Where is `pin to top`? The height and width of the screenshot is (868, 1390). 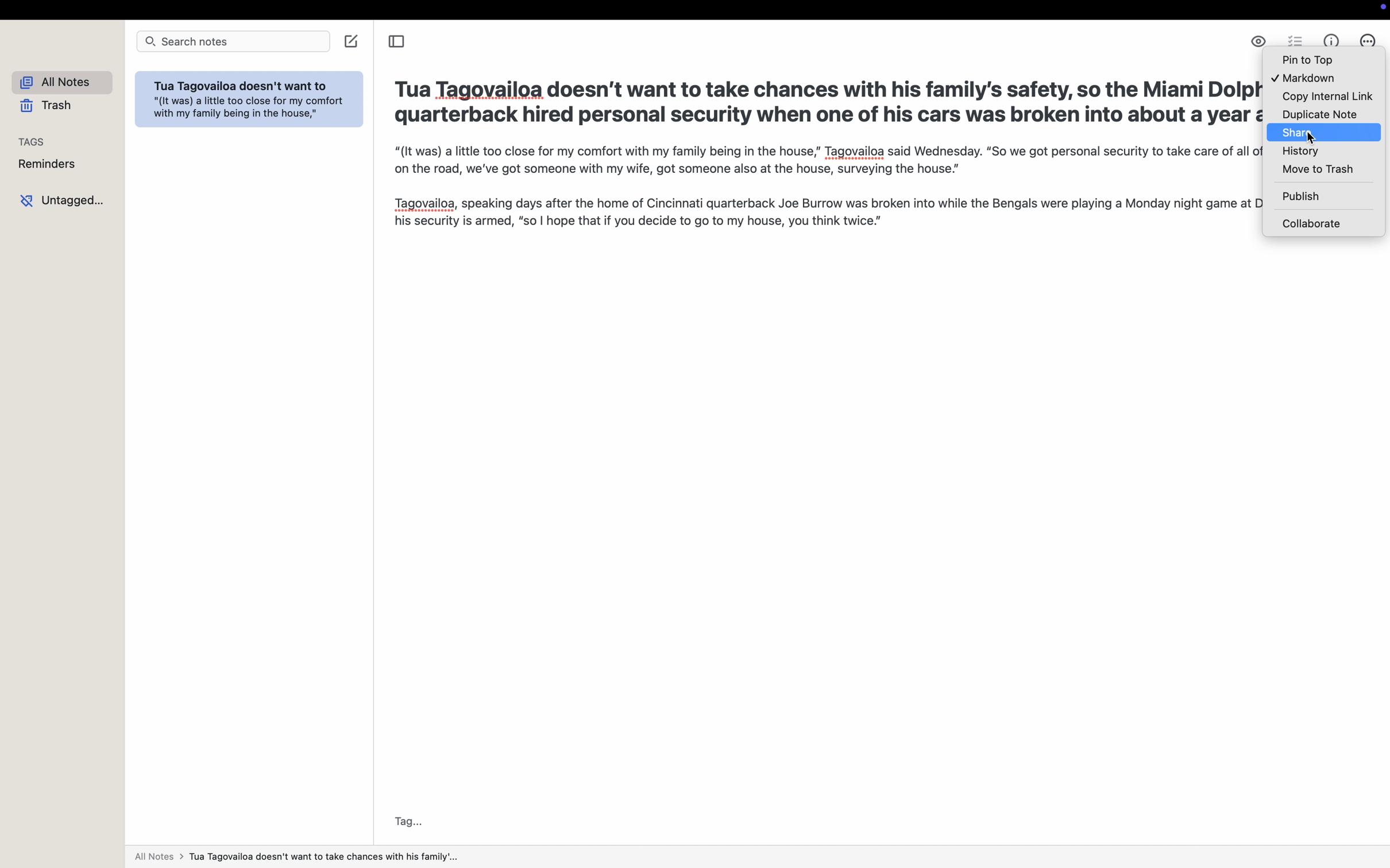
pin to top is located at coordinates (1312, 60).